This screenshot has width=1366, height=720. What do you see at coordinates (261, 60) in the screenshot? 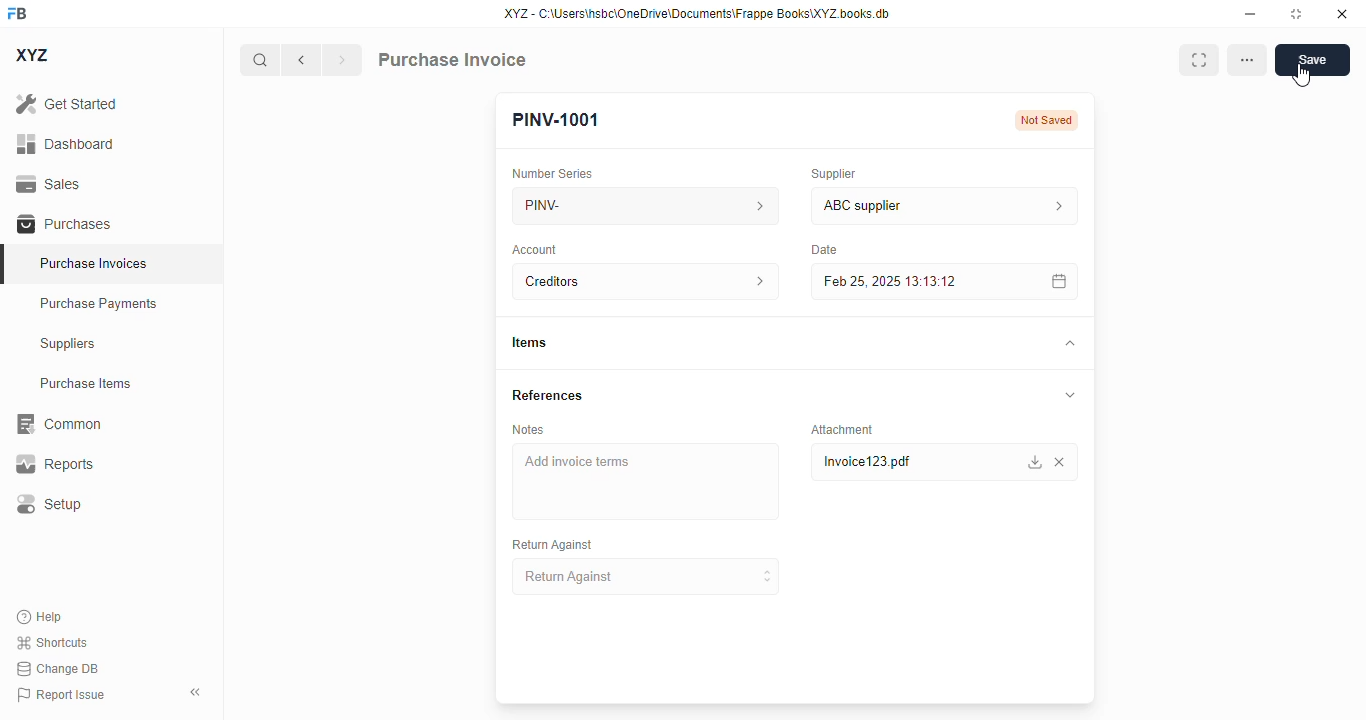
I see `search` at bounding box center [261, 60].